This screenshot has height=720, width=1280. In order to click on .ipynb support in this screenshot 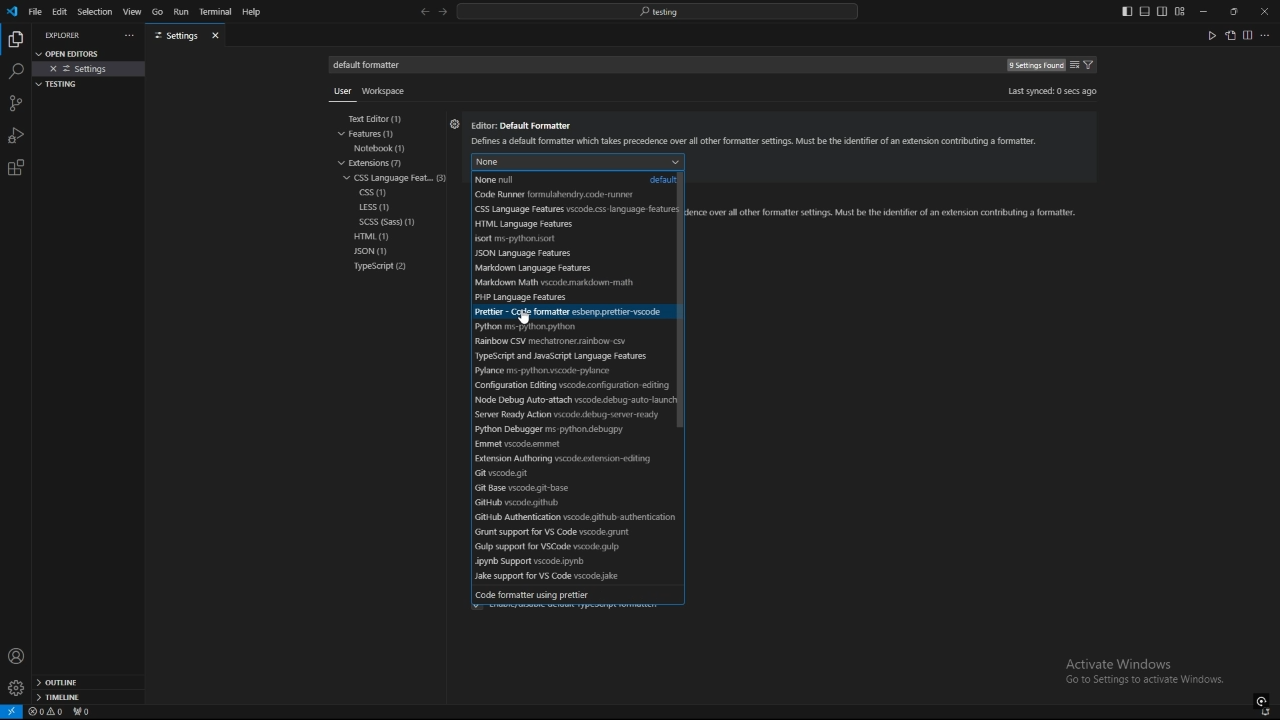, I will do `click(572, 562)`.